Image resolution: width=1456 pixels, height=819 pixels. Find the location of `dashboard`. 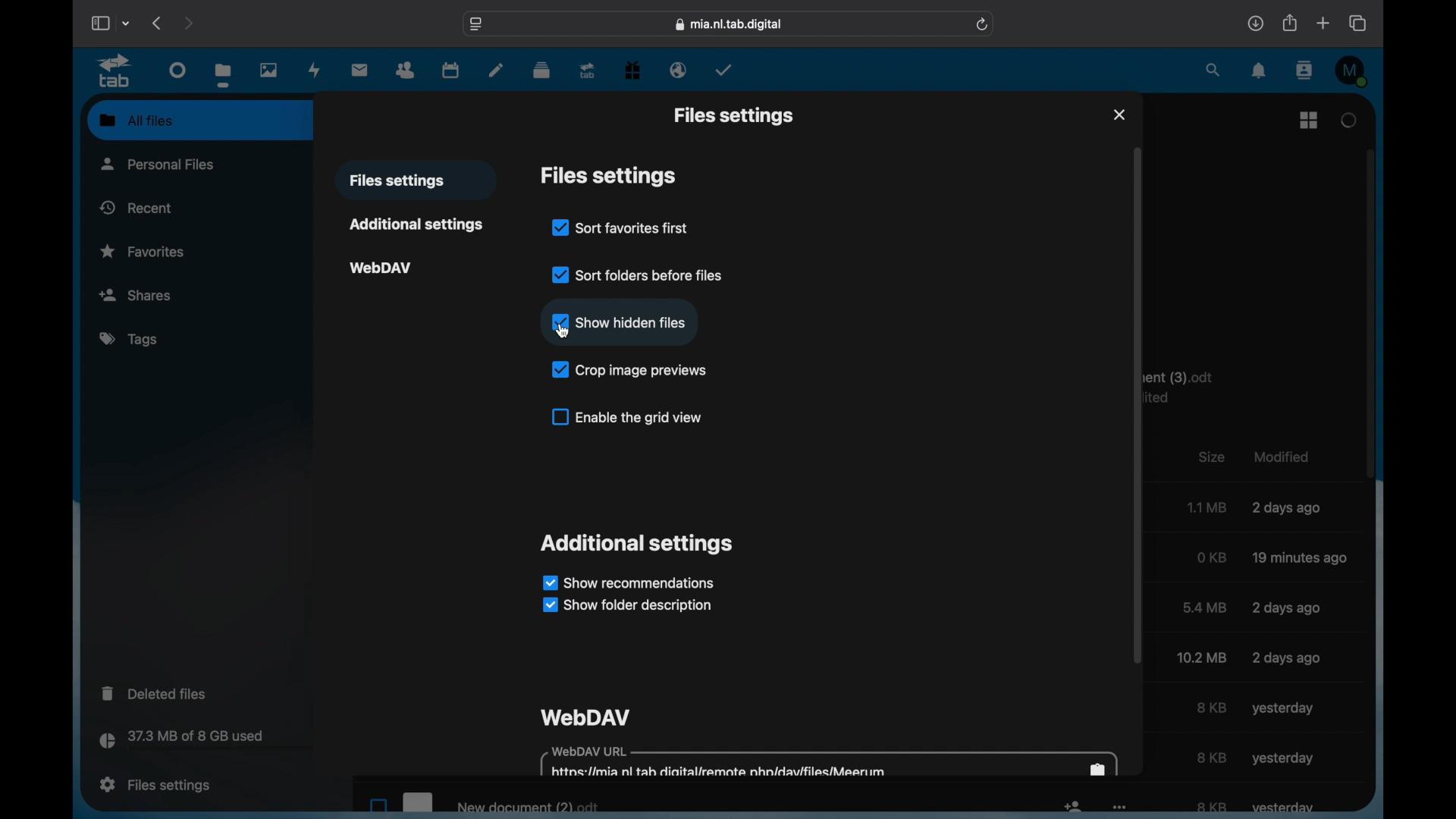

dashboard is located at coordinates (177, 71).